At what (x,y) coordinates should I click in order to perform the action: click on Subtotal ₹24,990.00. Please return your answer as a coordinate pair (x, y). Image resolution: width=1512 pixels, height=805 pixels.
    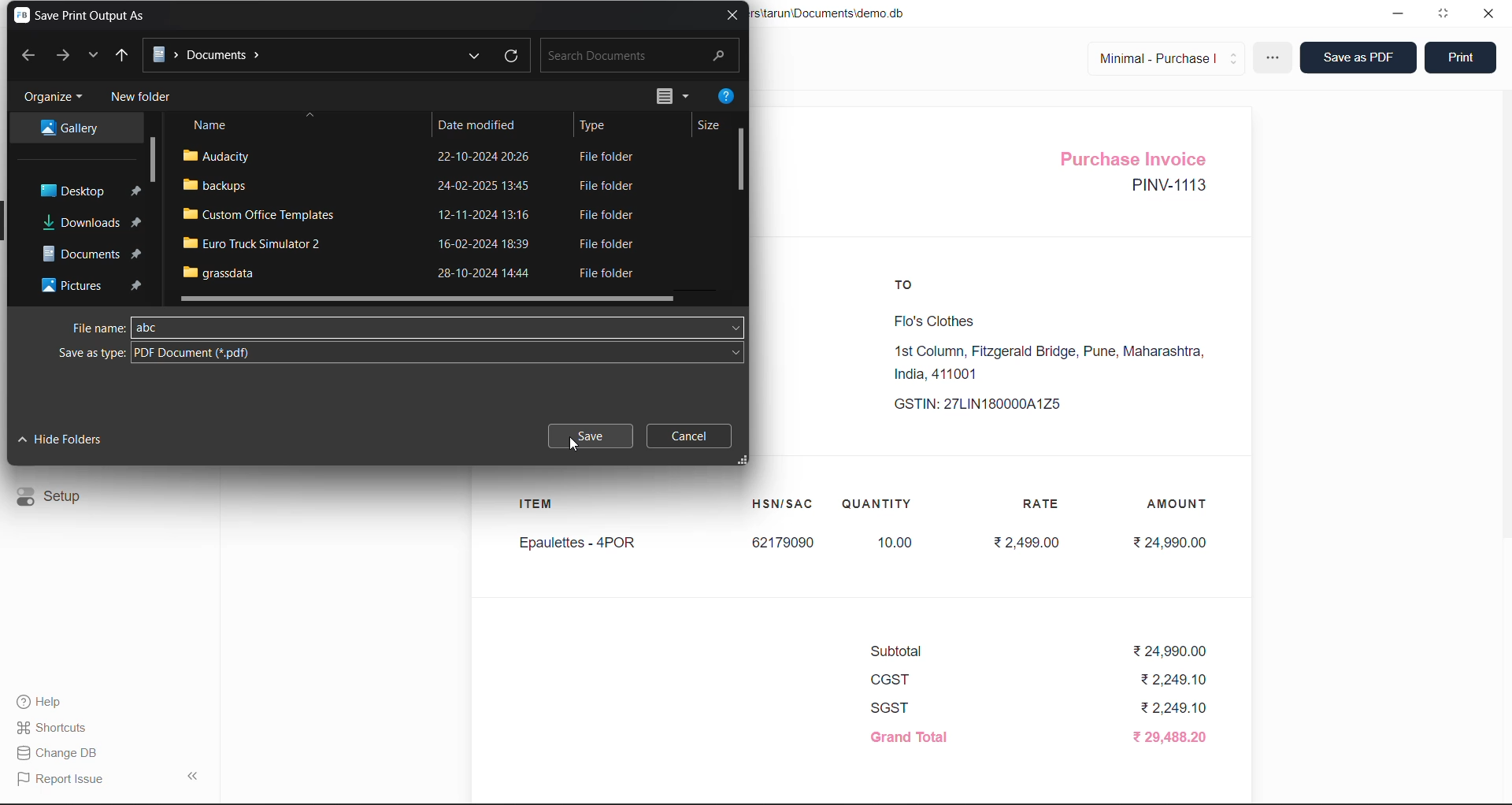
    Looking at the image, I should click on (1036, 653).